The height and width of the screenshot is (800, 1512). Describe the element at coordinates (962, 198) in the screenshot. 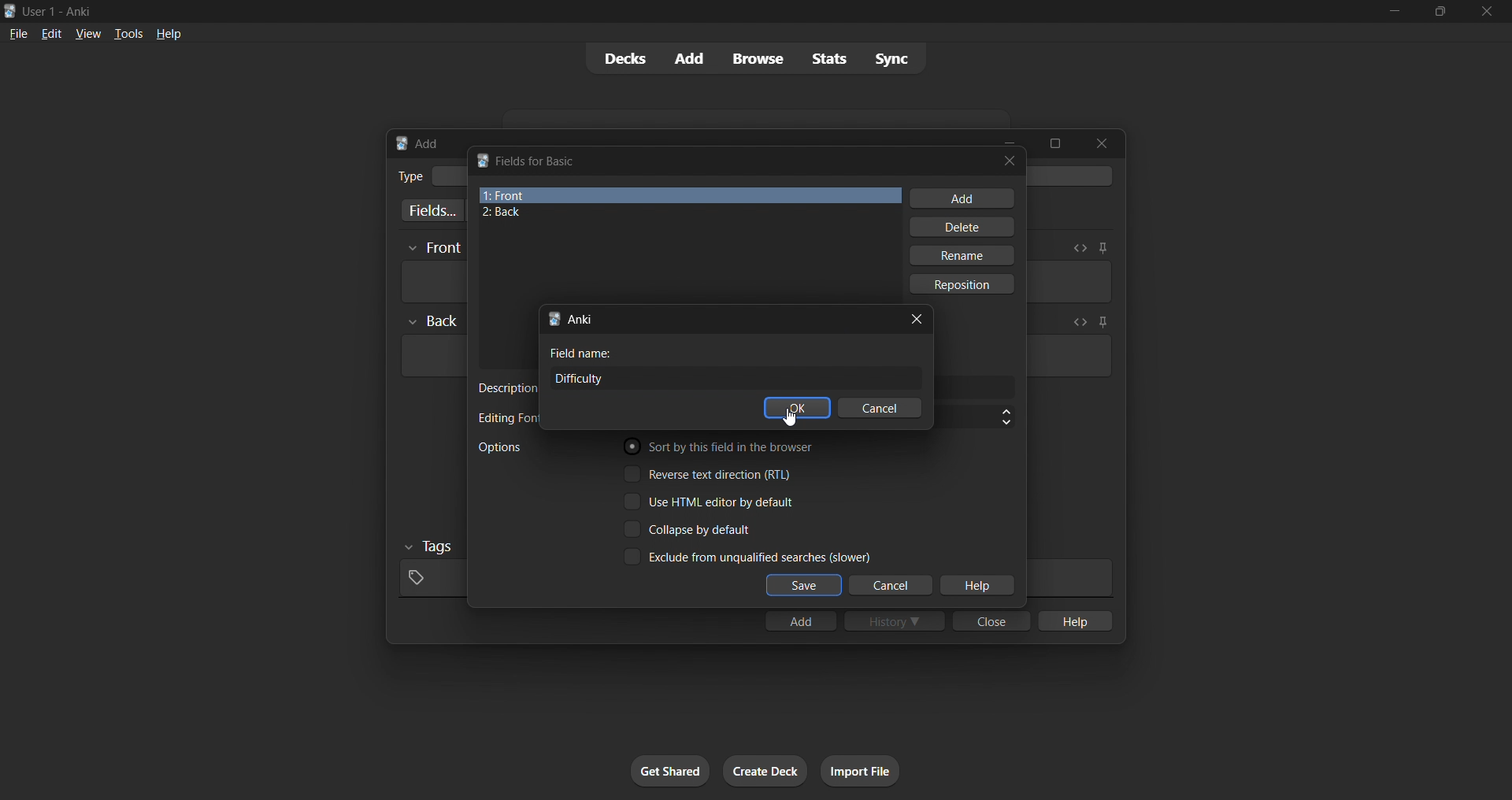

I see `add ` at that location.